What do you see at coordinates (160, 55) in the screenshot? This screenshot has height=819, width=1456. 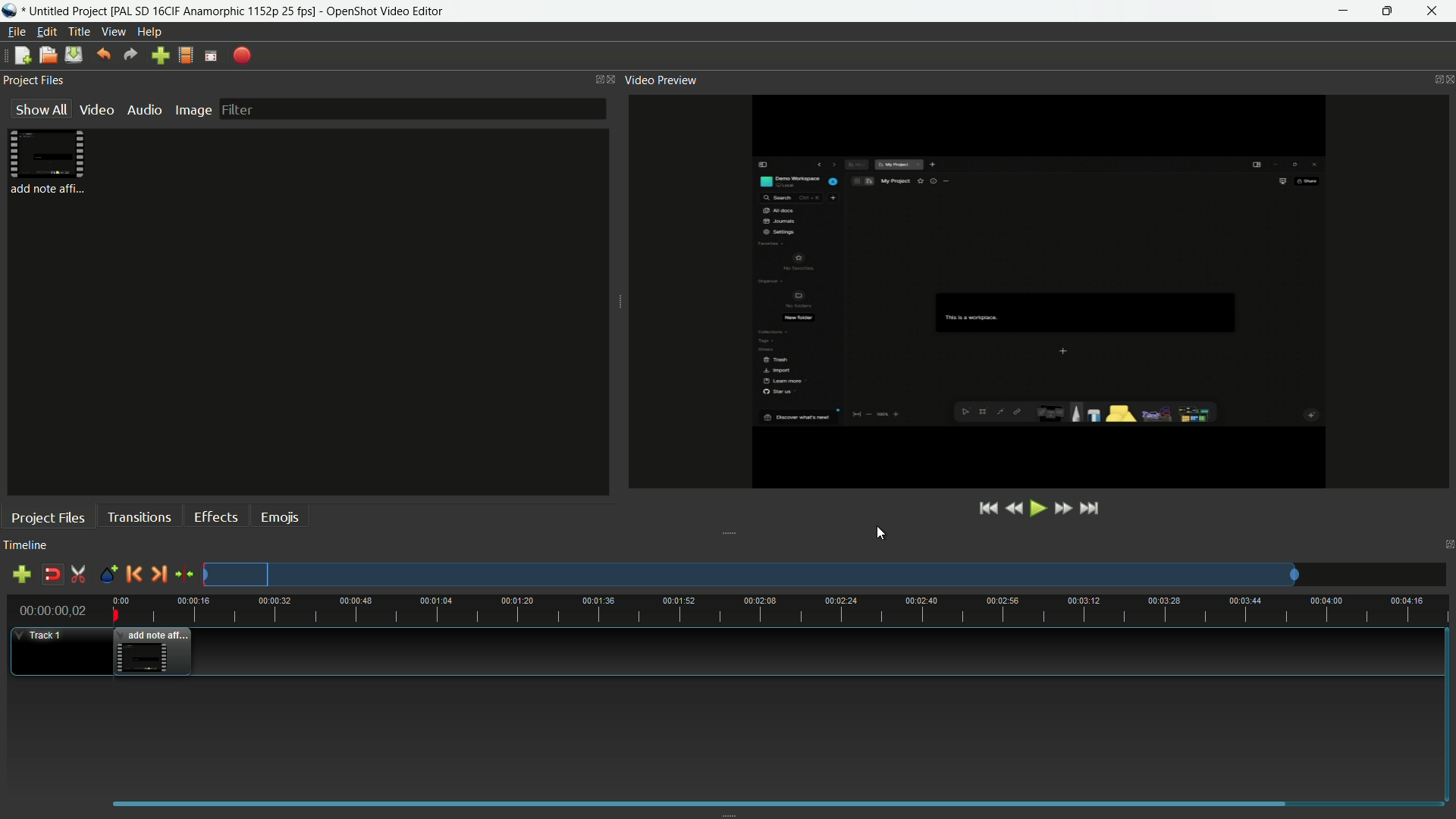 I see `import file` at bounding box center [160, 55].